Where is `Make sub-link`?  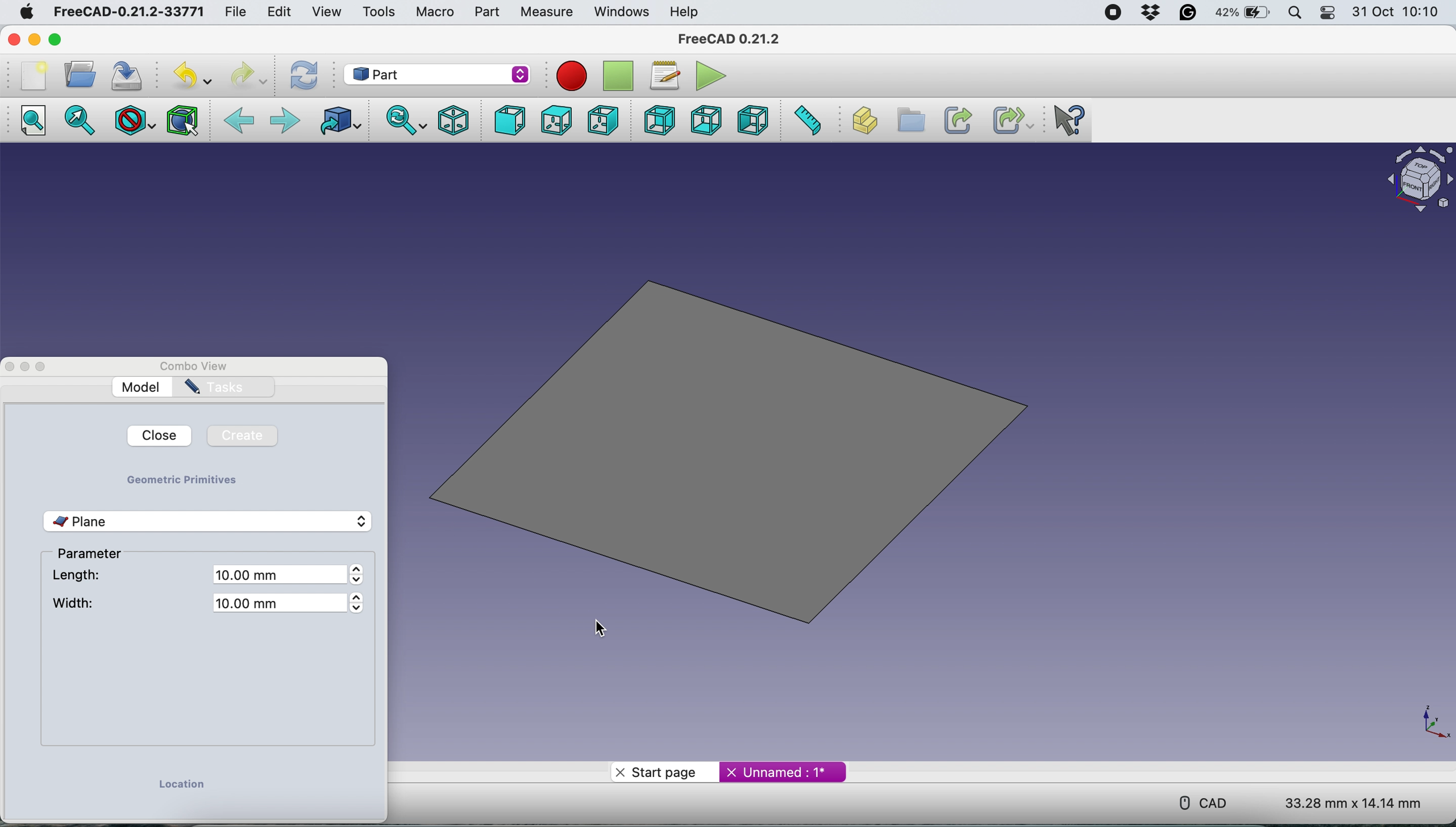 Make sub-link is located at coordinates (1006, 120).